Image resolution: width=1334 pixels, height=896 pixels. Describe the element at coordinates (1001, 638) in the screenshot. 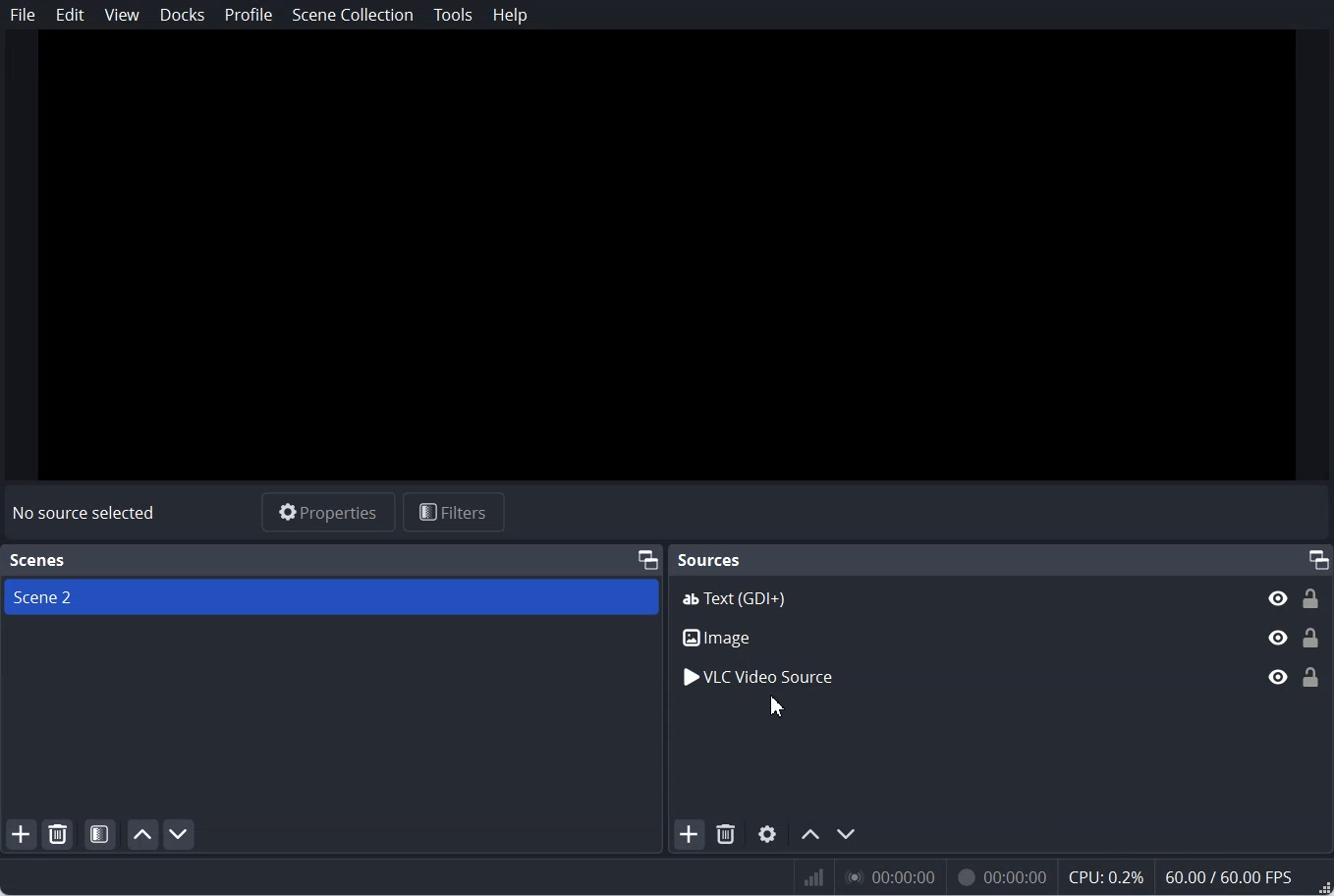

I see `Image` at that location.